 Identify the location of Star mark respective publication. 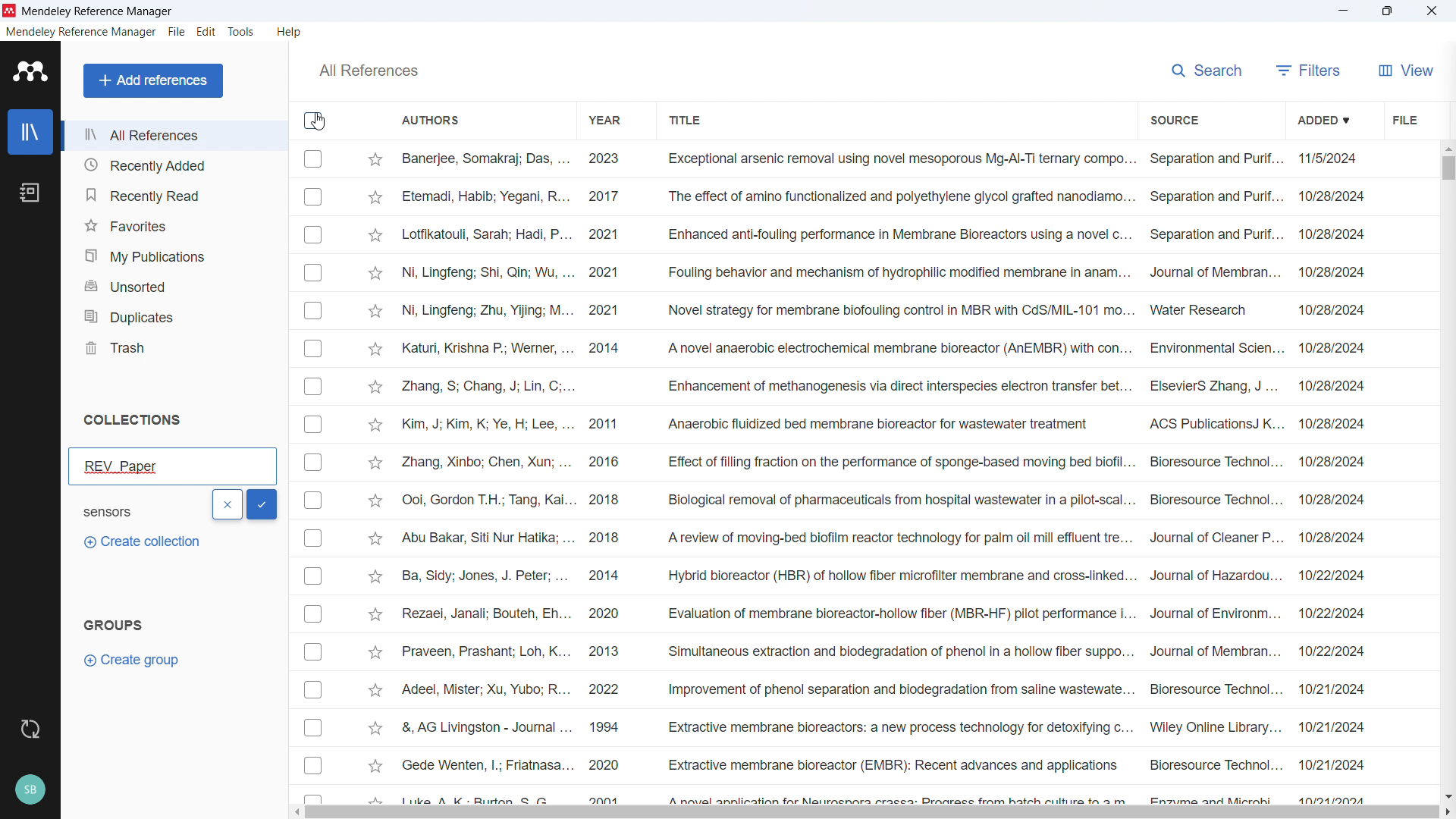
(375, 690).